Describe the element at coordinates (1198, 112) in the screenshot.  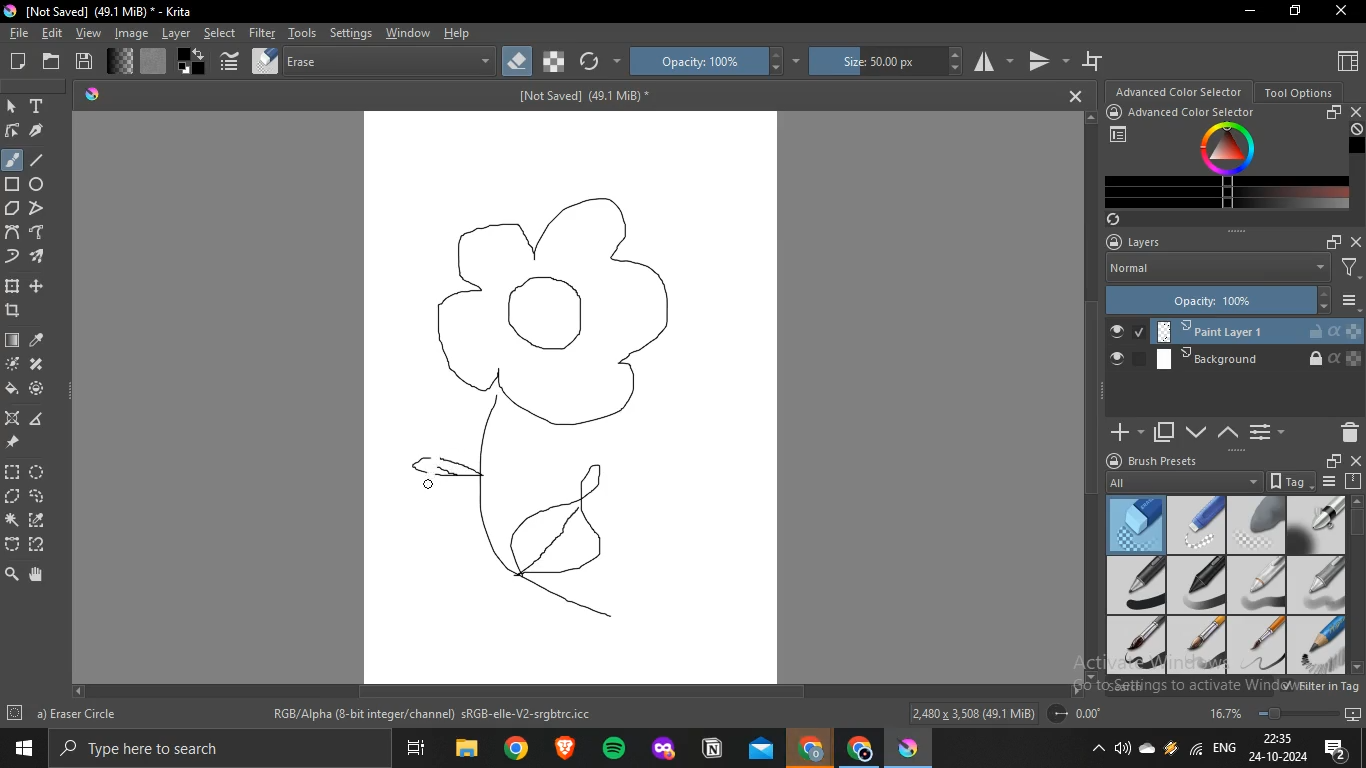
I see `advanced color selector` at that location.